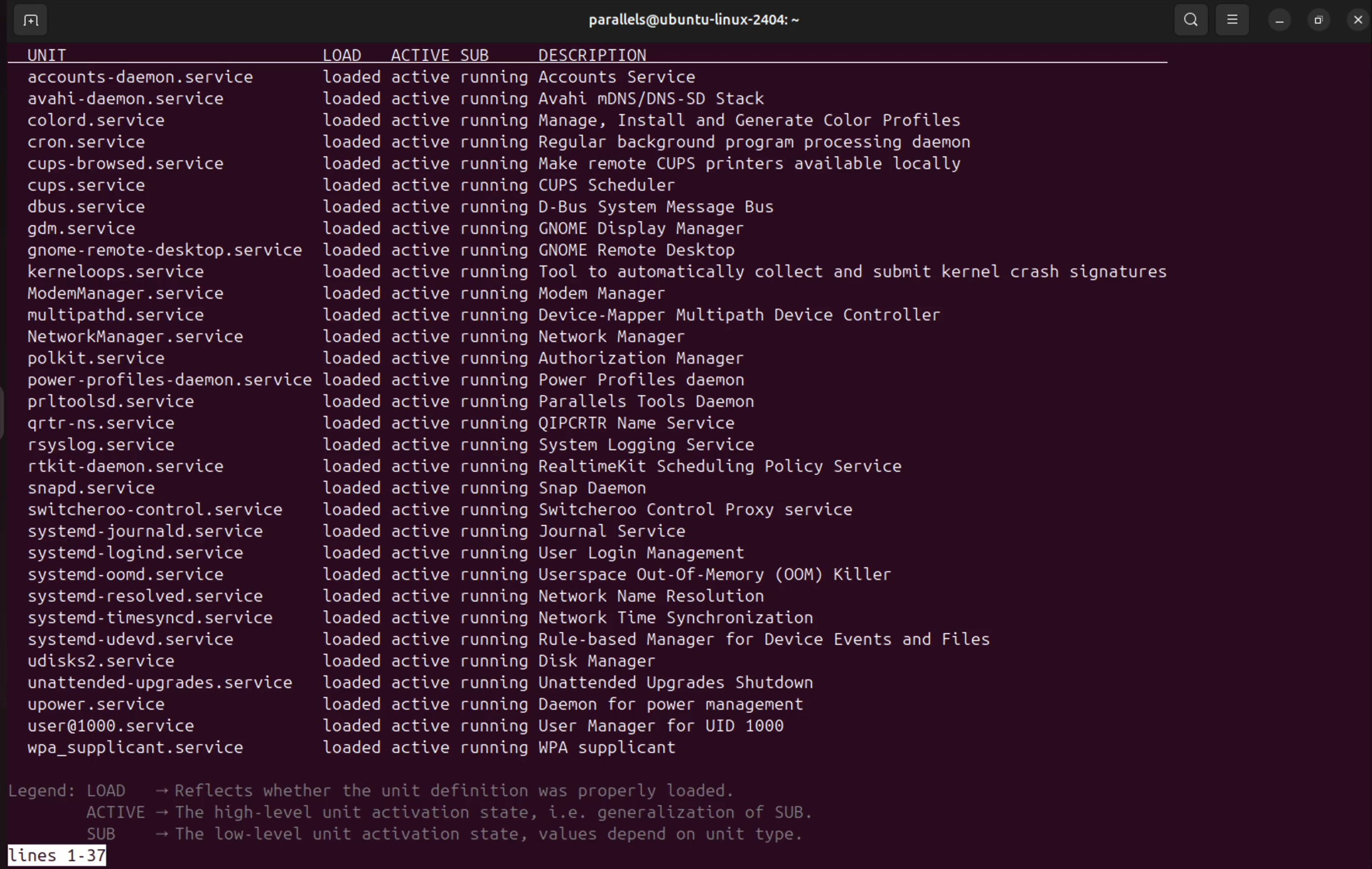 This screenshot has height=869, width=1372. What do you see at coordinates (84, 855) in the screenshot?
I see `1-37` at bounding box center [84, 855].